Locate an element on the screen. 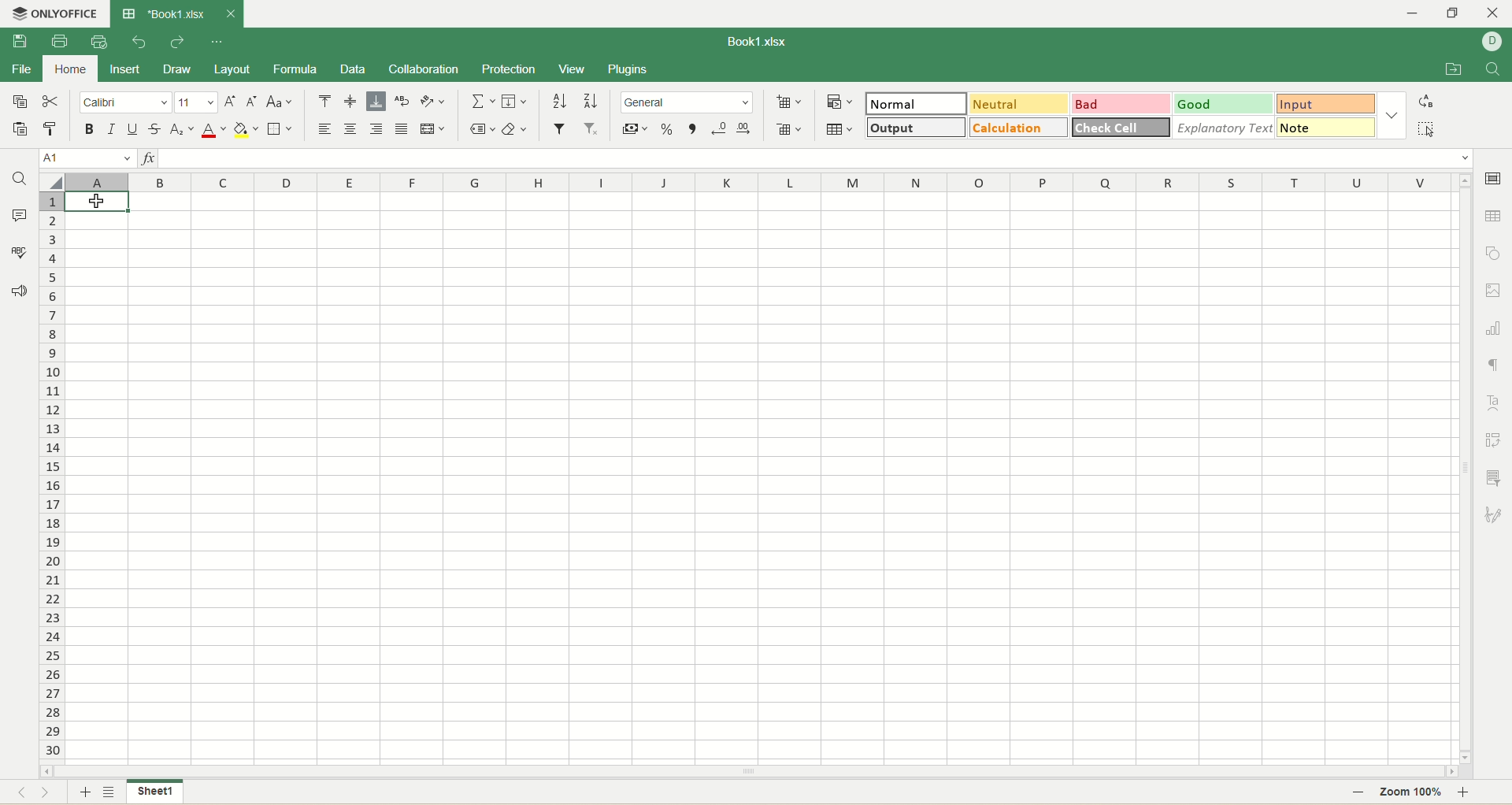 This screenshot has height=805, width=1512. redo is located at coordinates (176, 41).